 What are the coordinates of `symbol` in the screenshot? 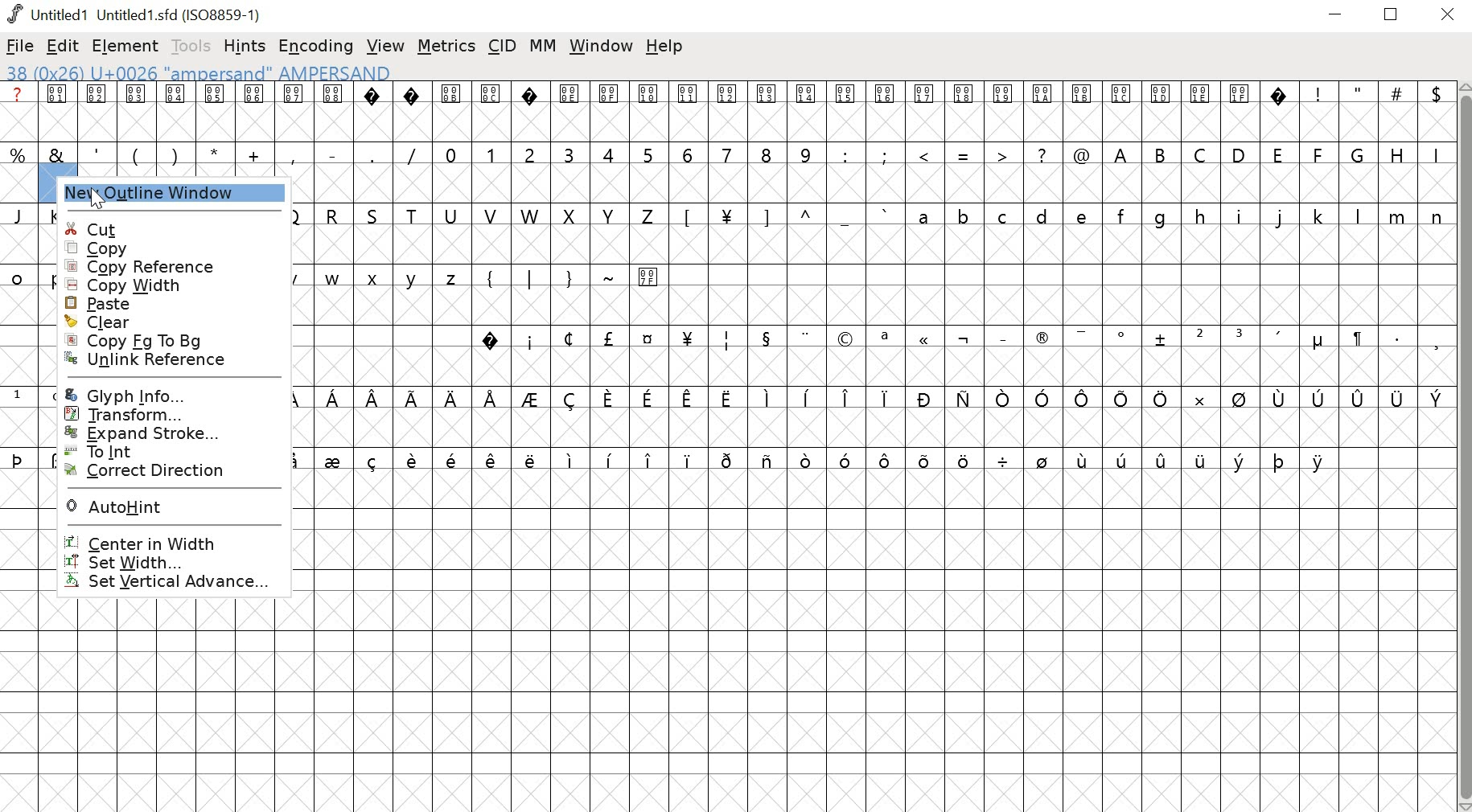 It's located at (1359, 399).